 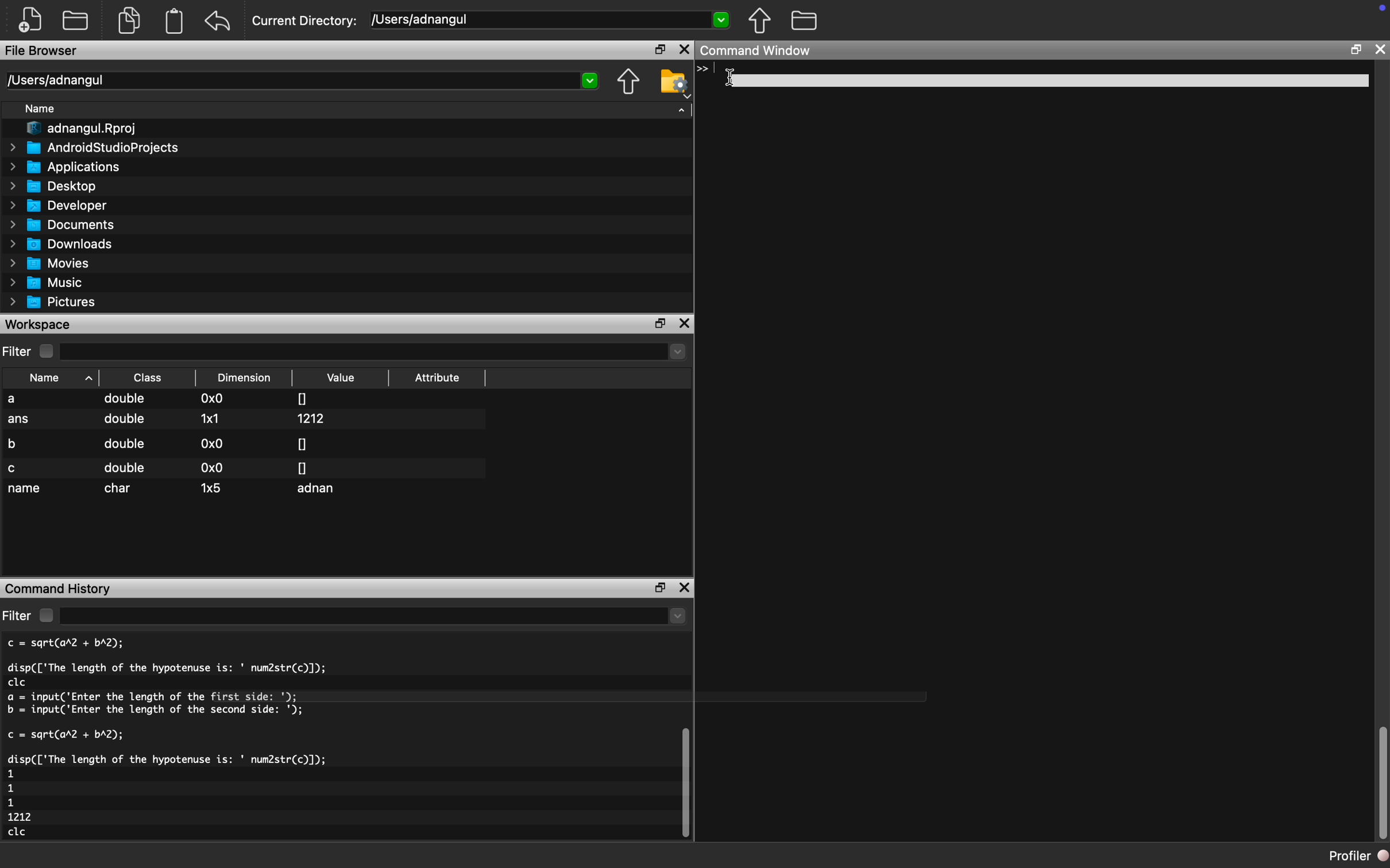 I want to click on cursor, so click(x=726, y=77).